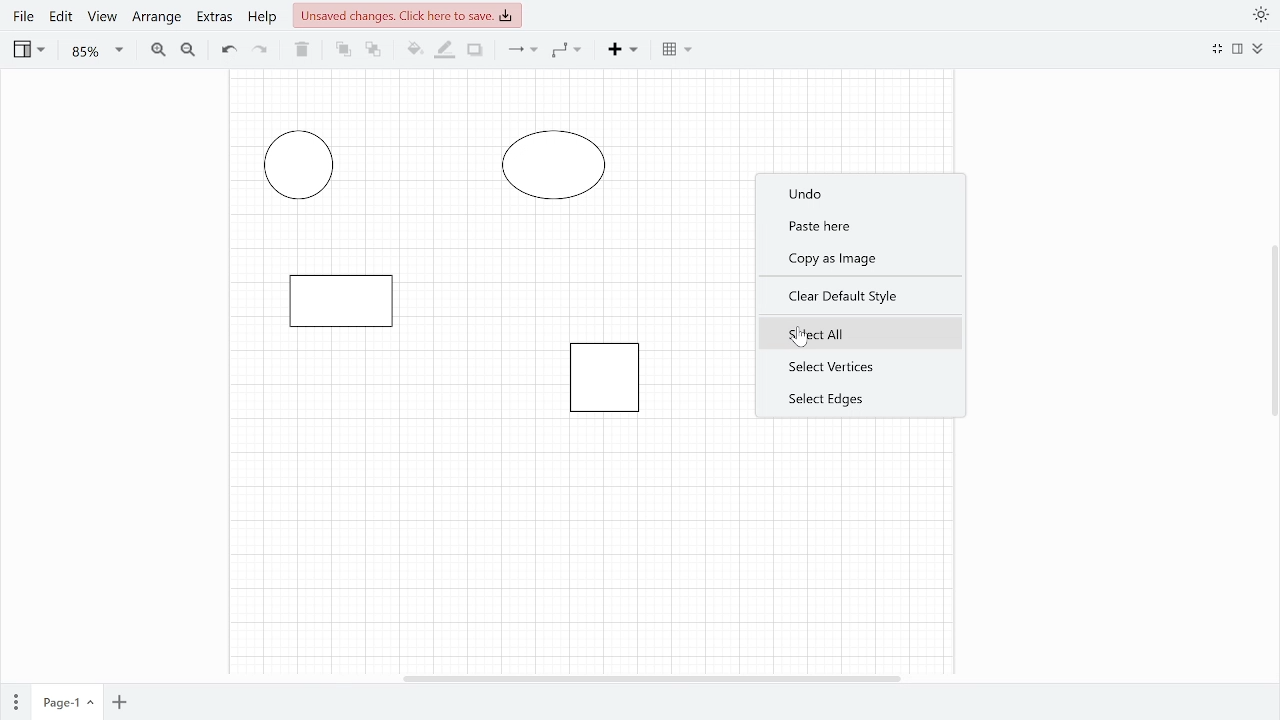  What do you see at coordinates (626, 52) in the screenshot?
I see `Insert` at bounding box center [626, 52].